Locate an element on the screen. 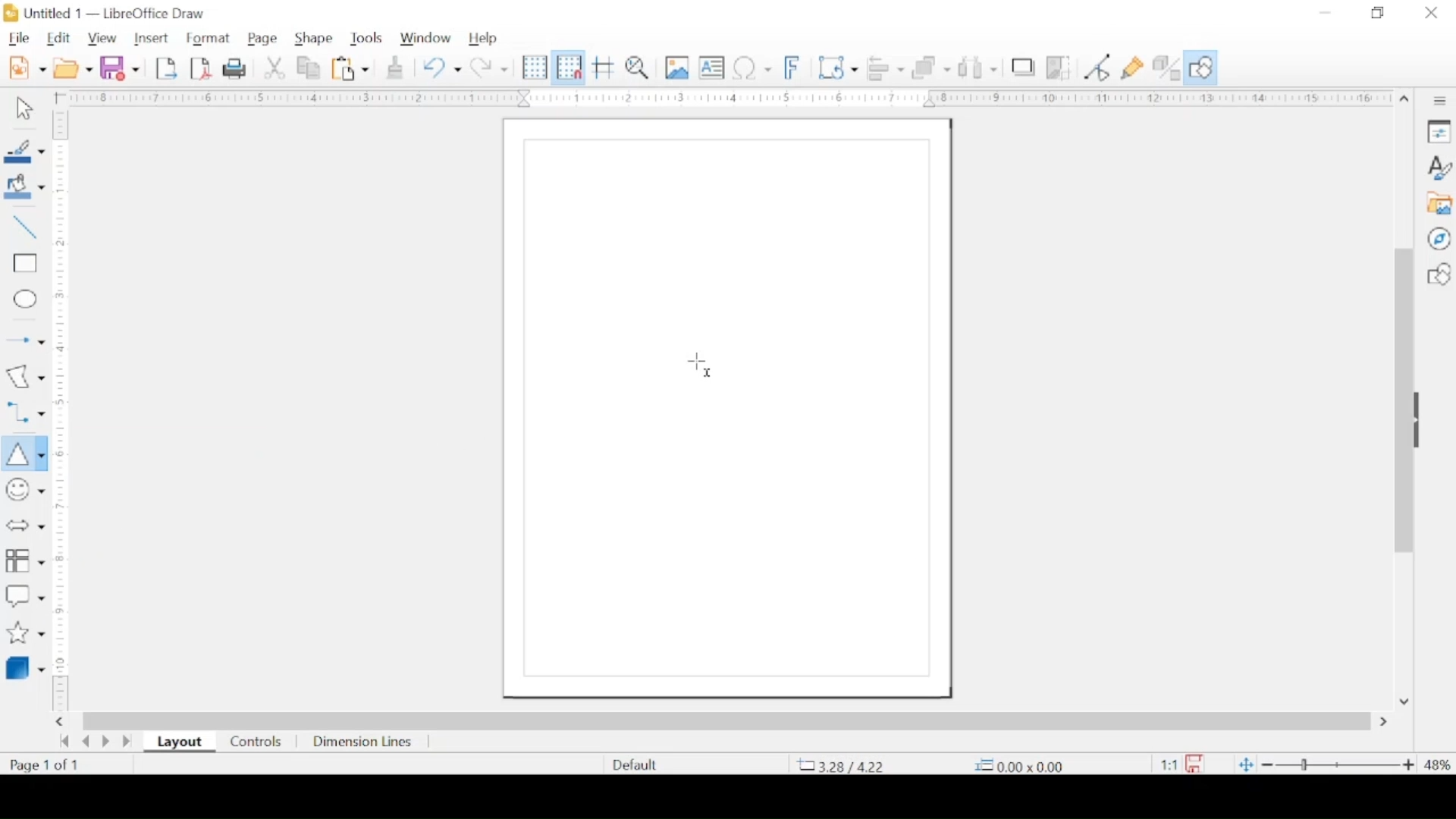 This screenshot has width=1456, height=819. this document has been modified is located at coordinates (1178, 761).